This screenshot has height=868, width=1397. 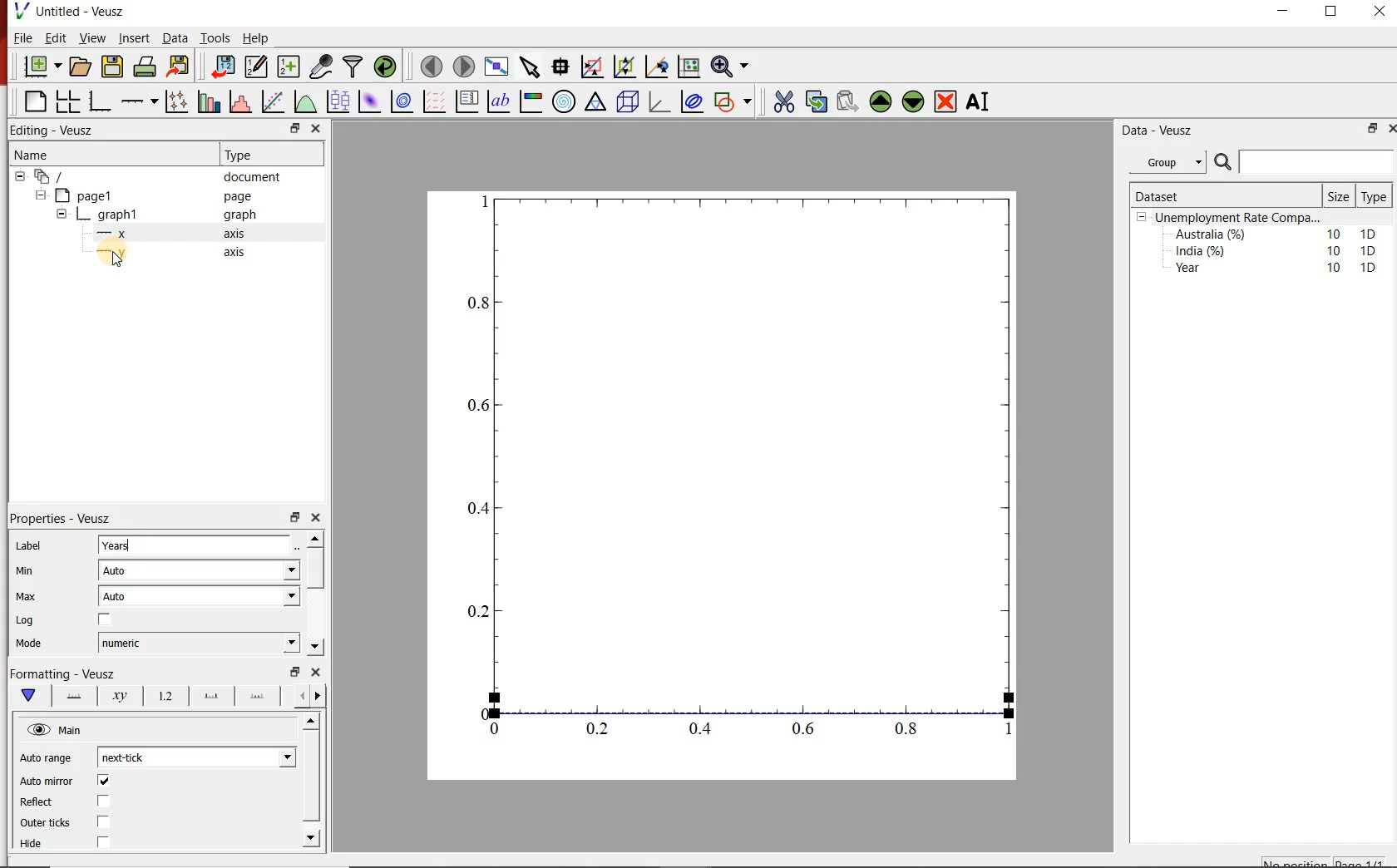 What do you see at coordinates (91, 38) in the screenshot?
I see `View` at bounding box center [91, 38].